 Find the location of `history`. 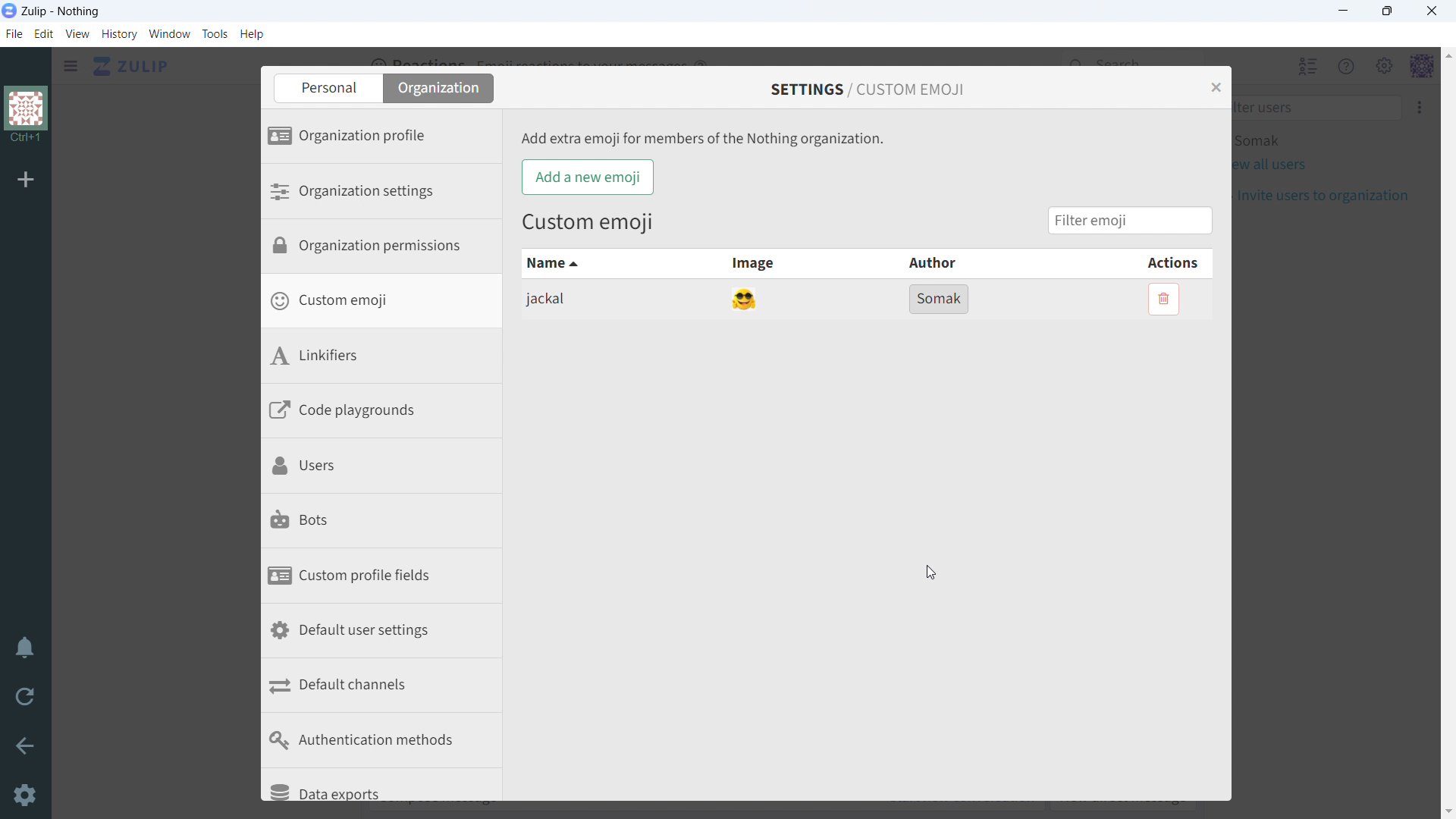

history is located at coordinates (119, 34).